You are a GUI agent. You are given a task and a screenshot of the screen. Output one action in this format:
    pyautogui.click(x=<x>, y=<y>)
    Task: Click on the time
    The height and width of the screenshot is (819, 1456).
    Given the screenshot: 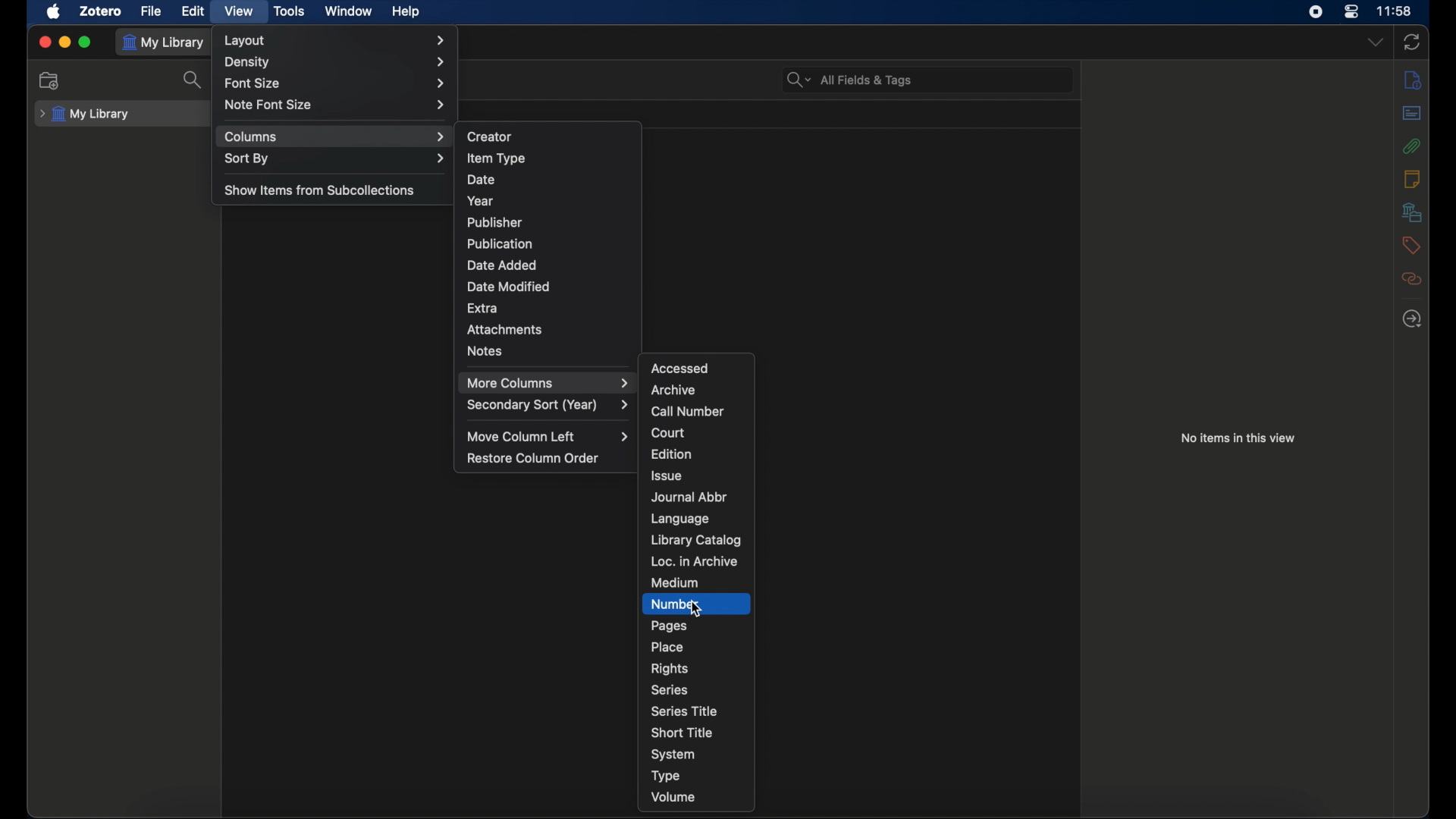 What is the action you would take?
    pyautogui.click(x=1394, y=11)
    